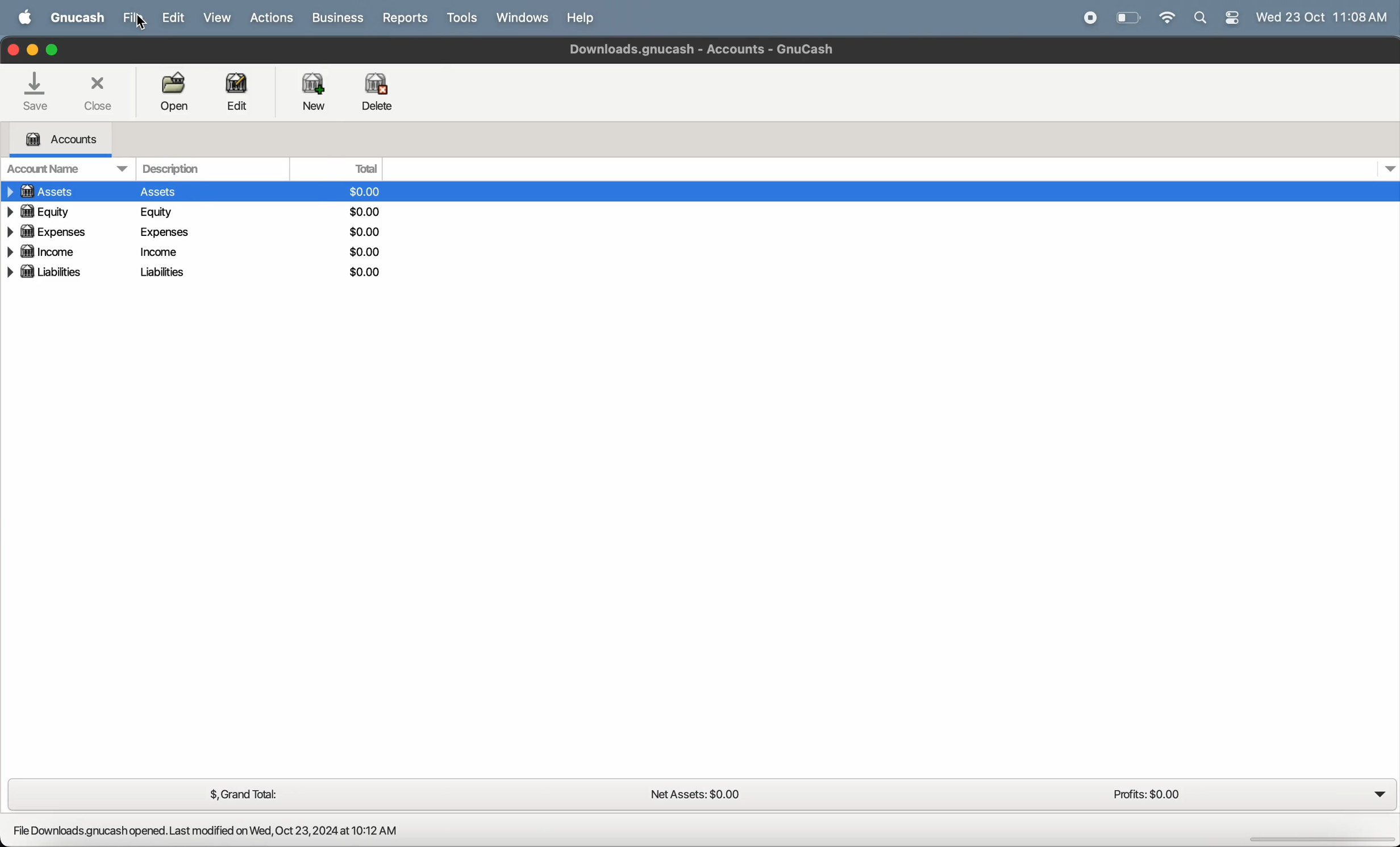 Image resolution: width=1400 pixels, height=847 pixels. Describe the element at coordinates (155, 194) in the screenshot. I see `assets` at that location.